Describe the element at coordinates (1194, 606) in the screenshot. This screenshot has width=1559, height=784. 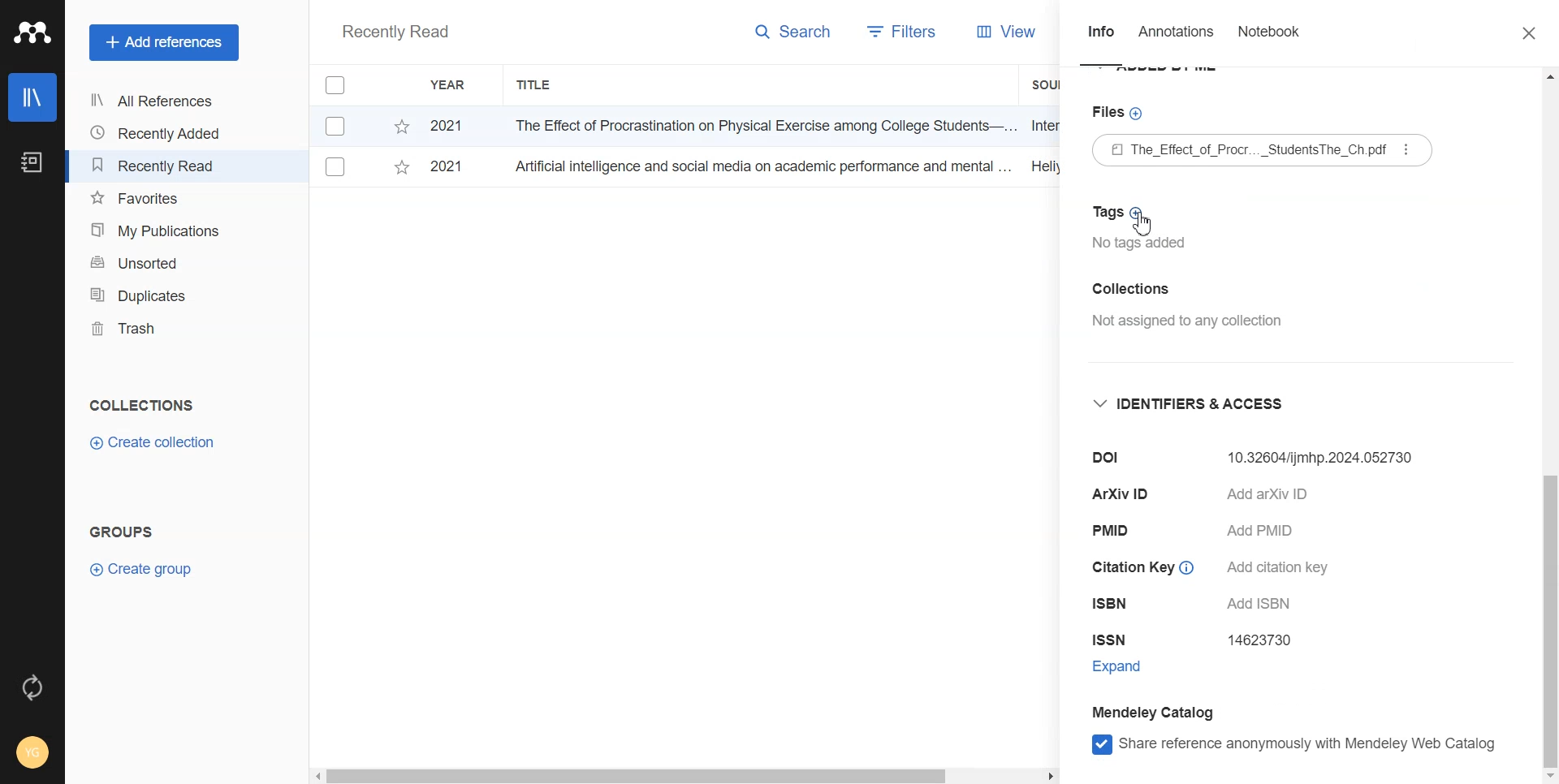
I see `ISBN Add ISBN` at that location.